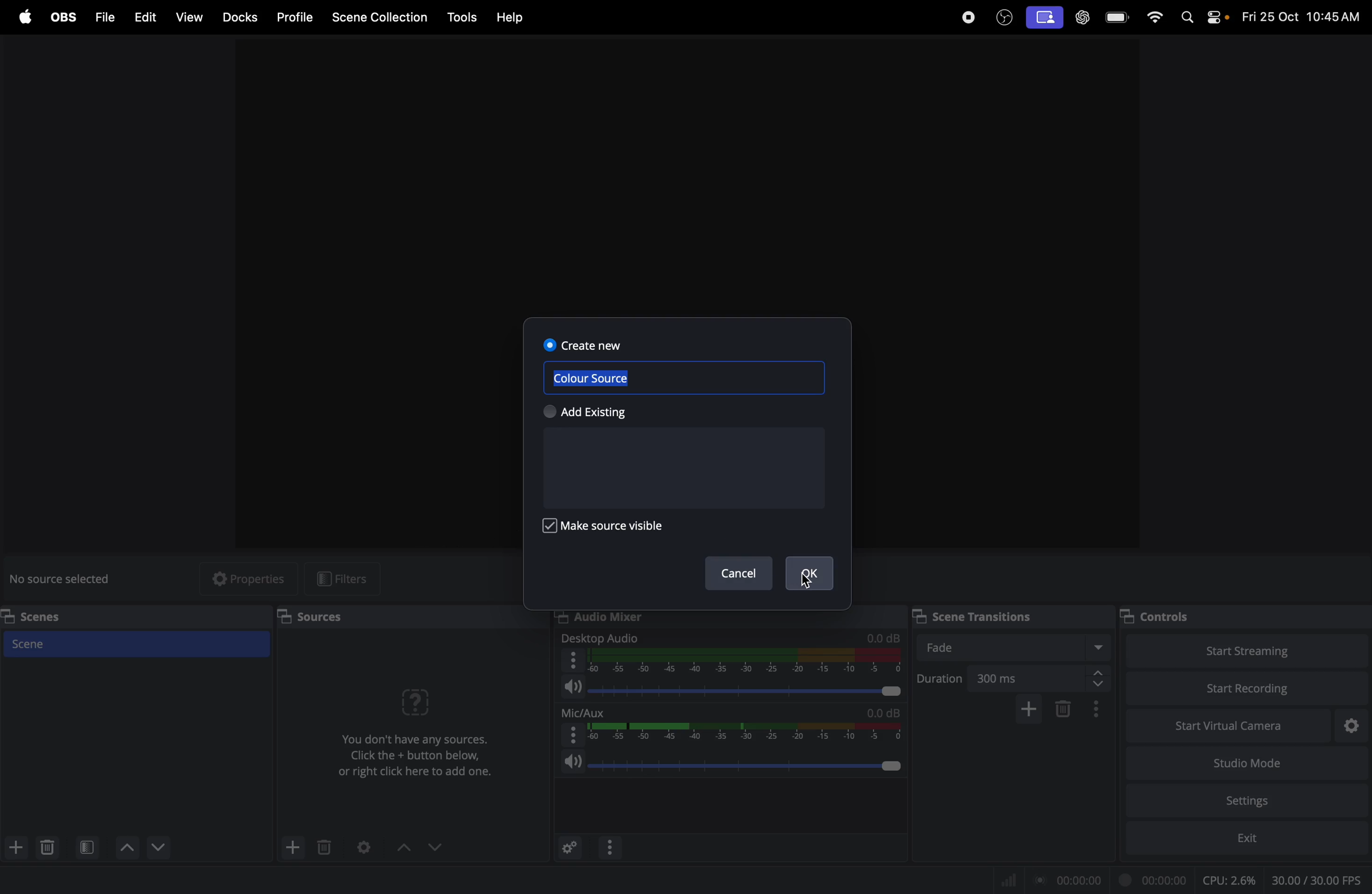 The height and width of the screenshot is (894, 1372). I want to click on Scene transitions, so click(968, 617).